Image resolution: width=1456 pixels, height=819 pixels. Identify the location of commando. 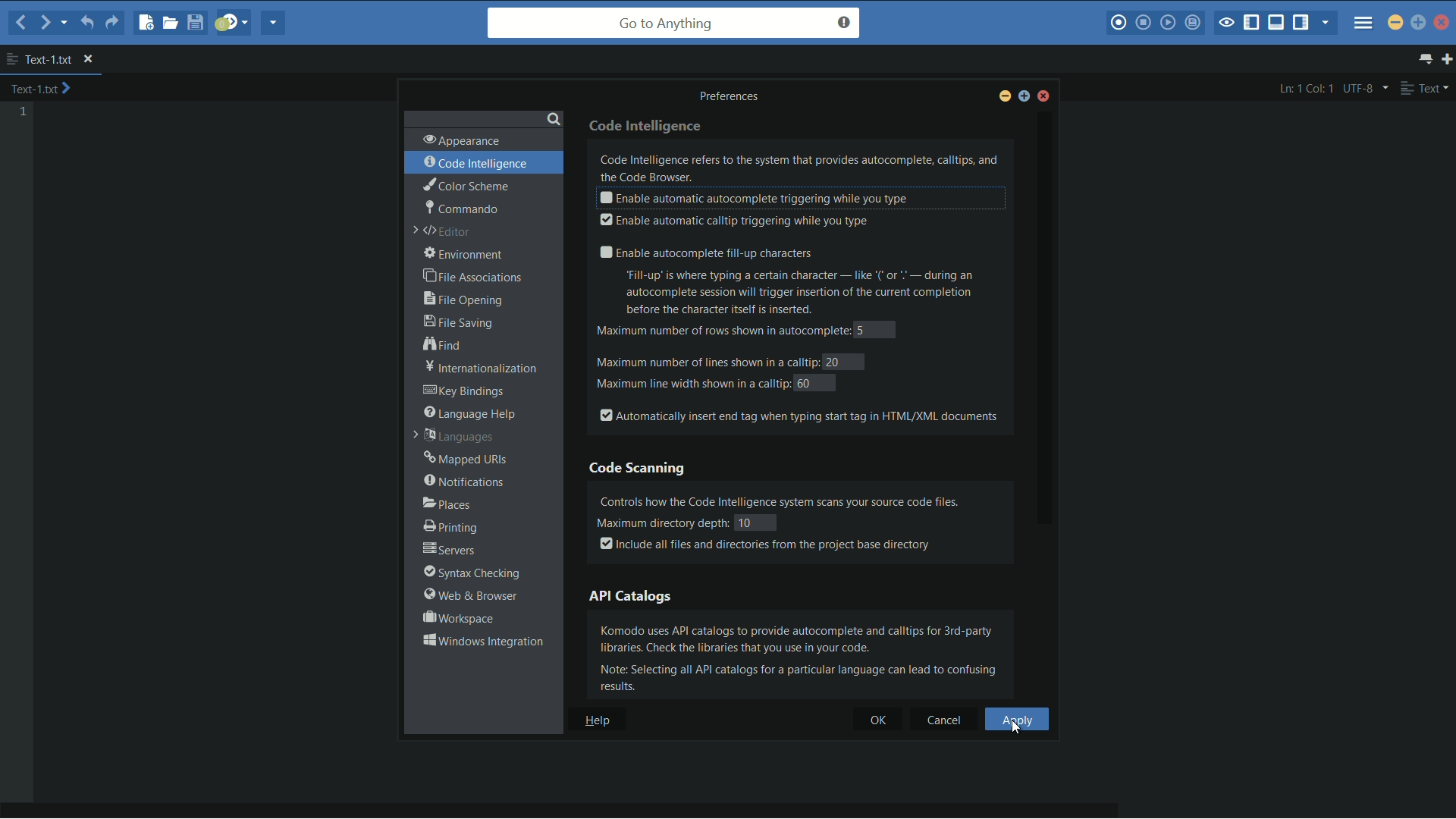
(461, 207).